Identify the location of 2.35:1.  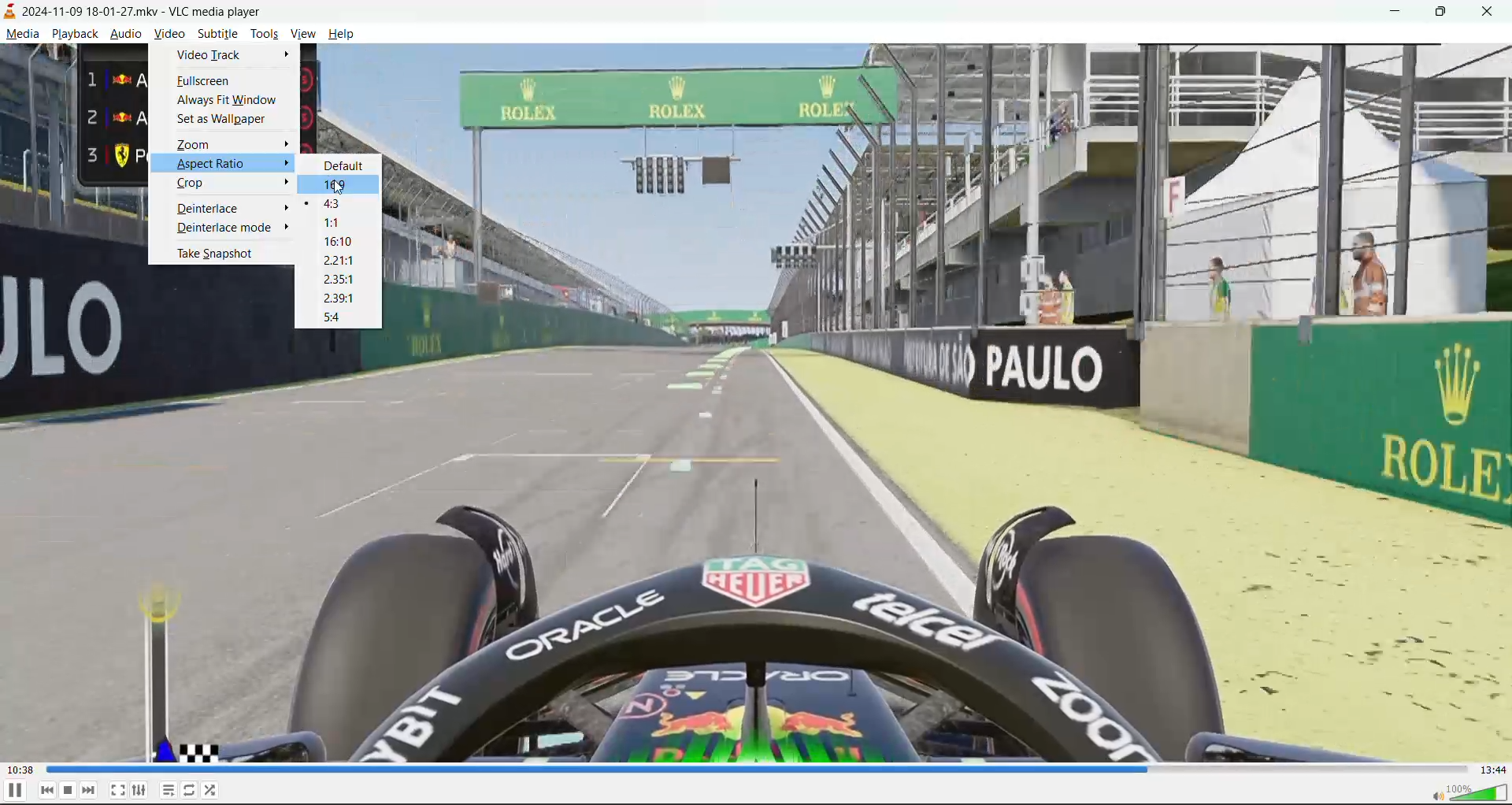
(339, 279).